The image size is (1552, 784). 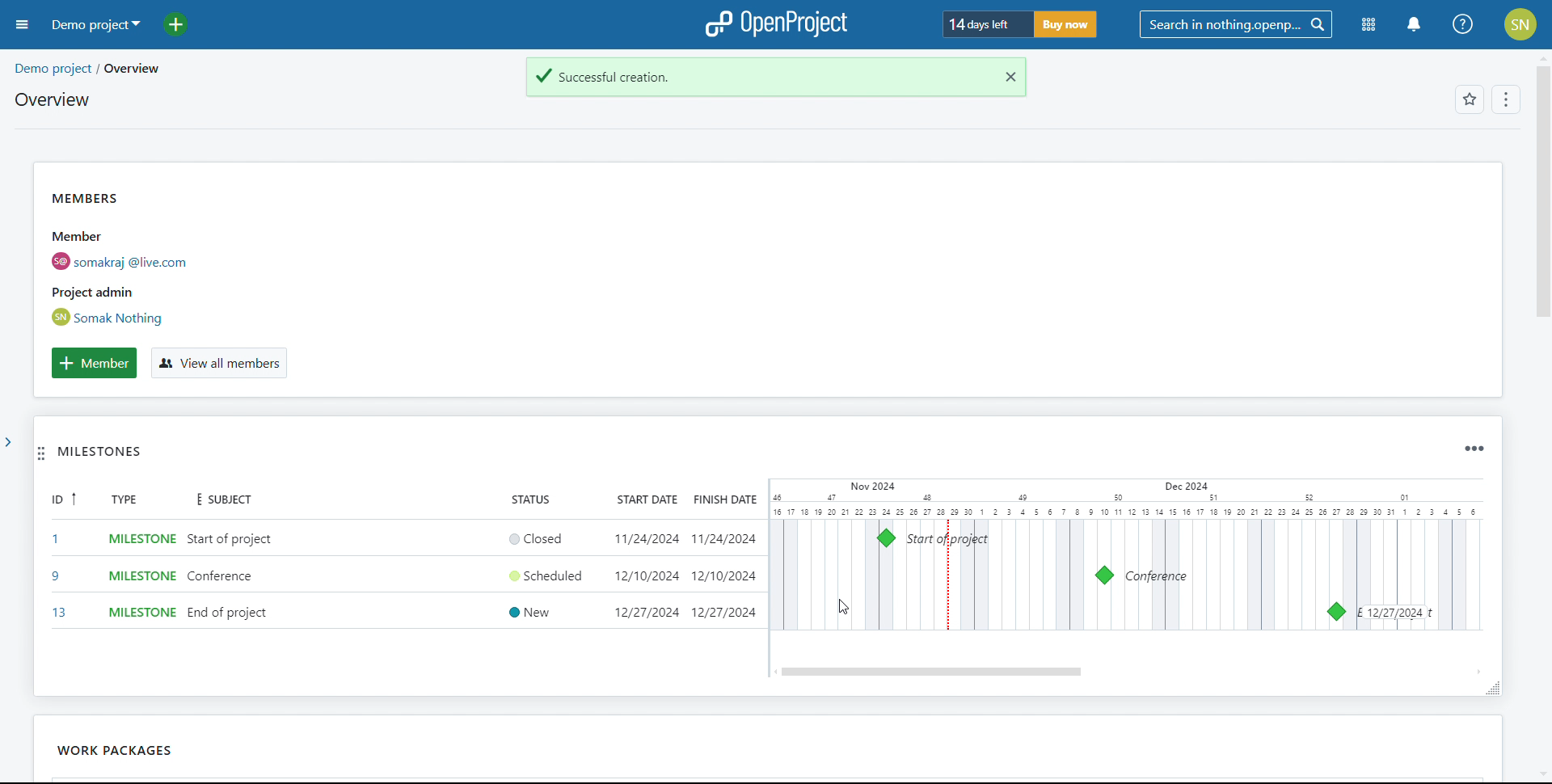 What do you see at coordinates (58, 558) in the screenshot?
I see `id` at bounding box center [58, 558].